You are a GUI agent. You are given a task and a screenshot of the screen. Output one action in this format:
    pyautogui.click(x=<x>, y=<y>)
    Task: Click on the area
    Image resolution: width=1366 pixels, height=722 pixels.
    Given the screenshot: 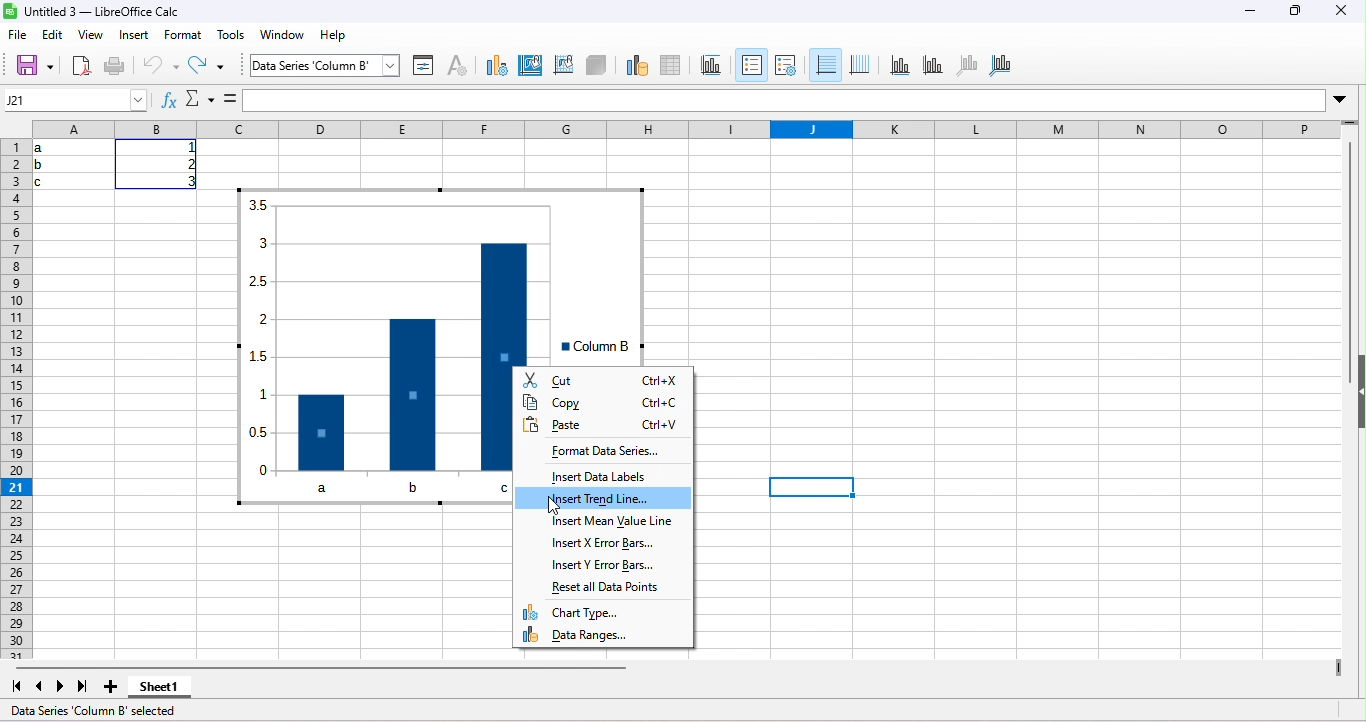 What is the action you would take?
    pyautogui.click(x=531, y=67)
    